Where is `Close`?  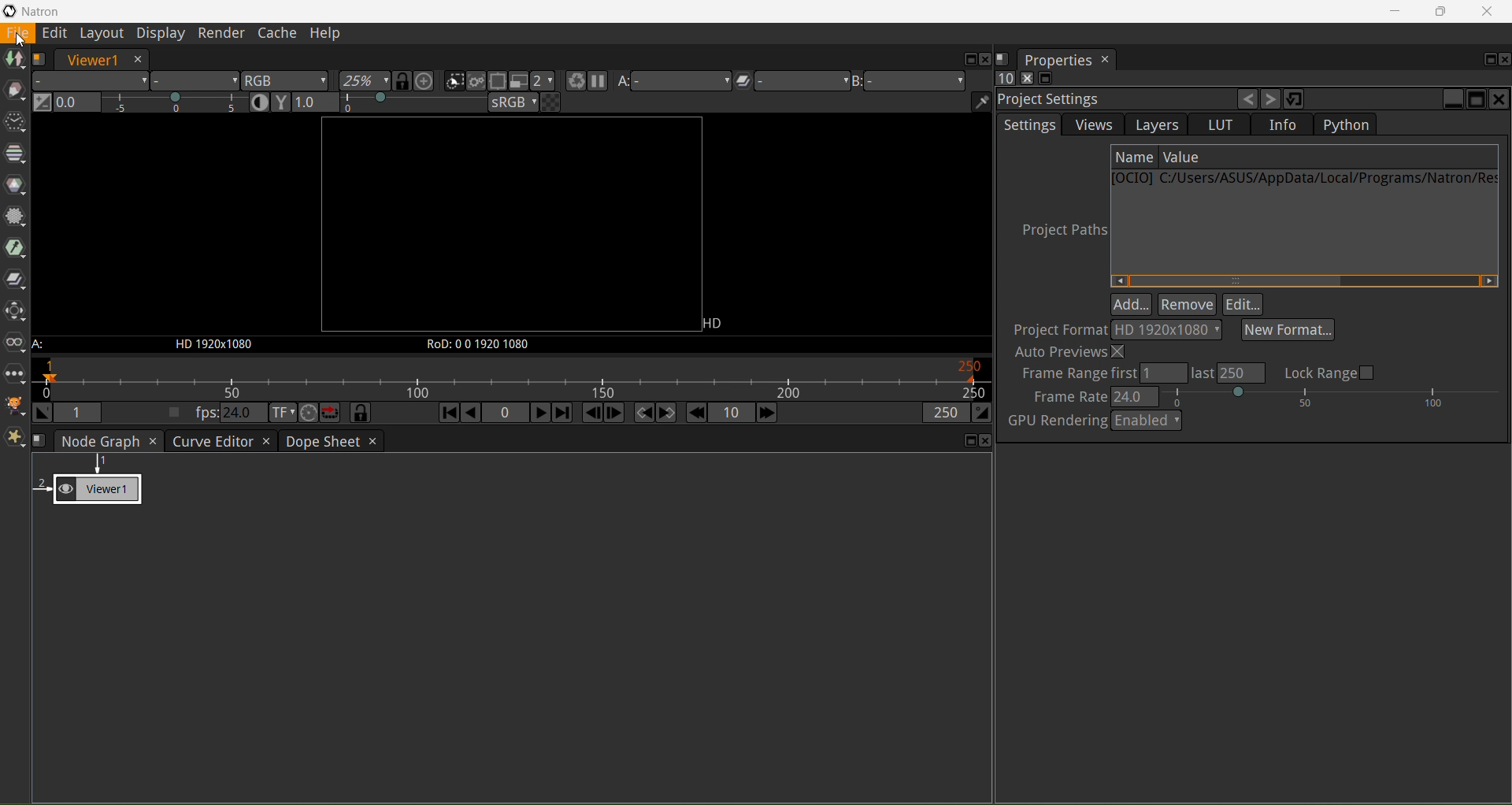
Close is located at coordinates (1492, 12).